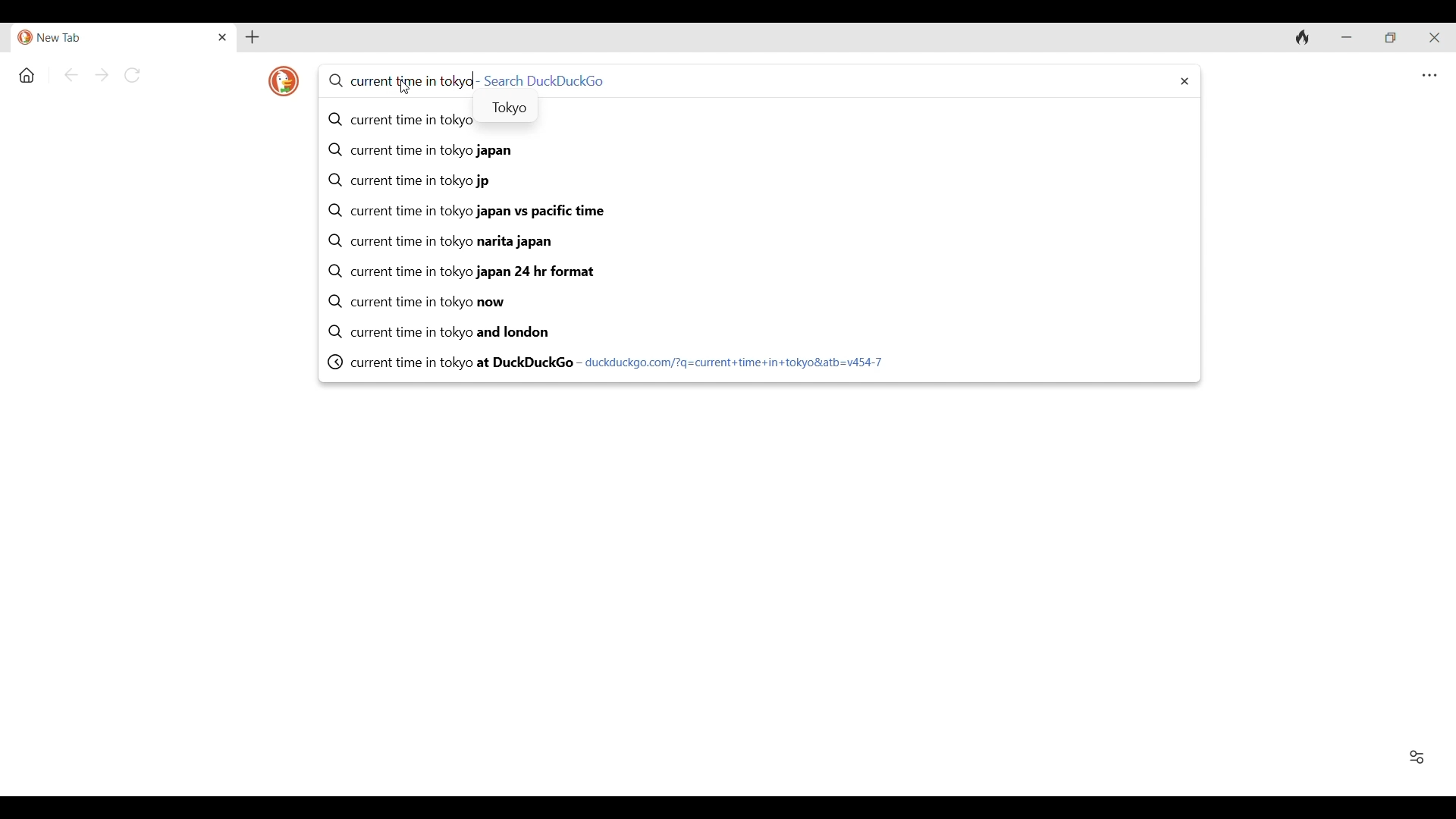  I want to click on Add new tab, so click(252, 37).